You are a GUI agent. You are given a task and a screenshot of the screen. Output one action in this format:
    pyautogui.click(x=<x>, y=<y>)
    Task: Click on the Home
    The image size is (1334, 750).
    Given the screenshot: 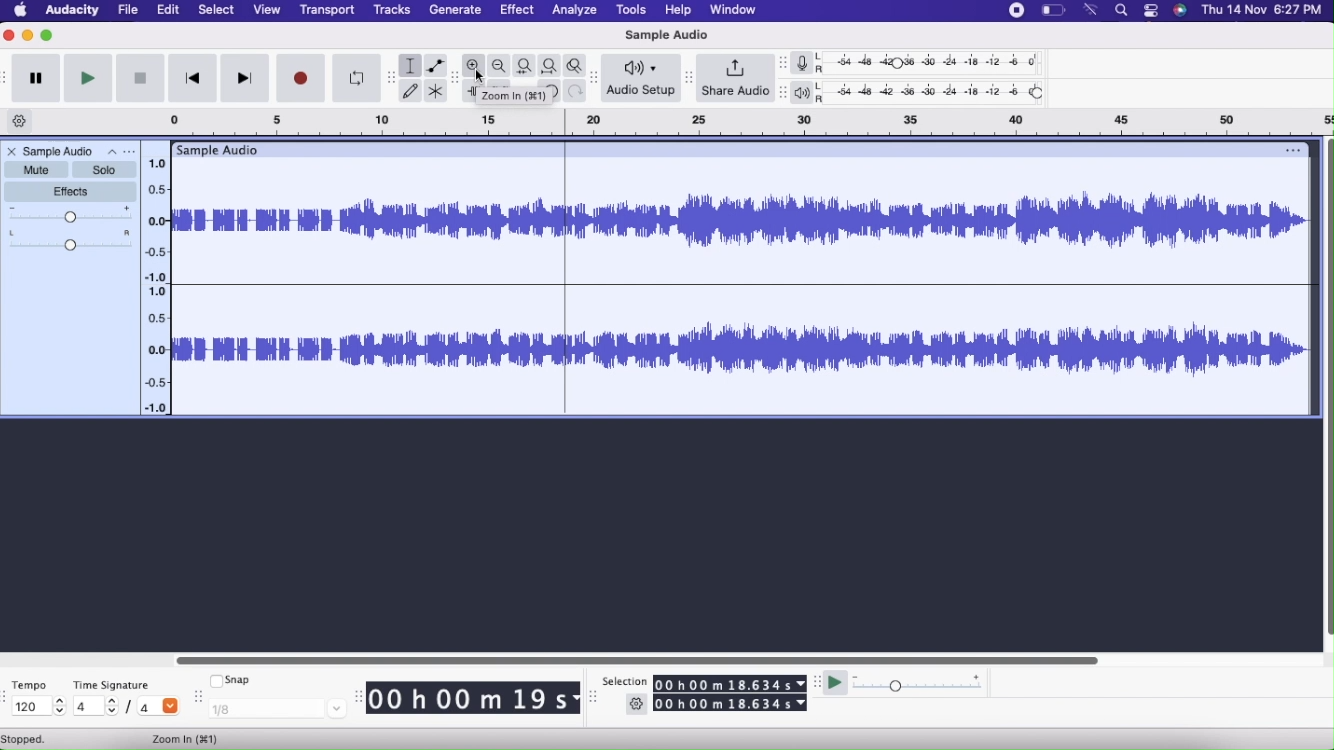 What is the action you would take?
    pyautogui.click(x=20, y=11)
    